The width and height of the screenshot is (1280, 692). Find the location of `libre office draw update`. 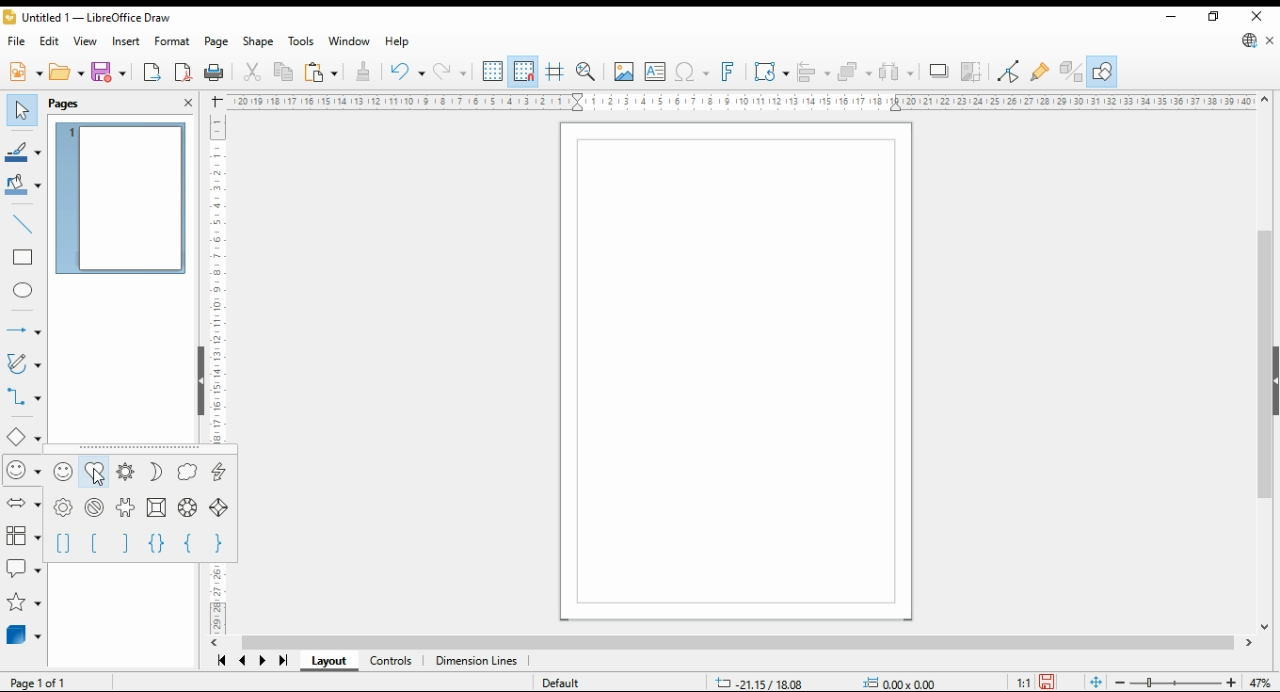

libre office draw update is located at coordinates (1250, 40).